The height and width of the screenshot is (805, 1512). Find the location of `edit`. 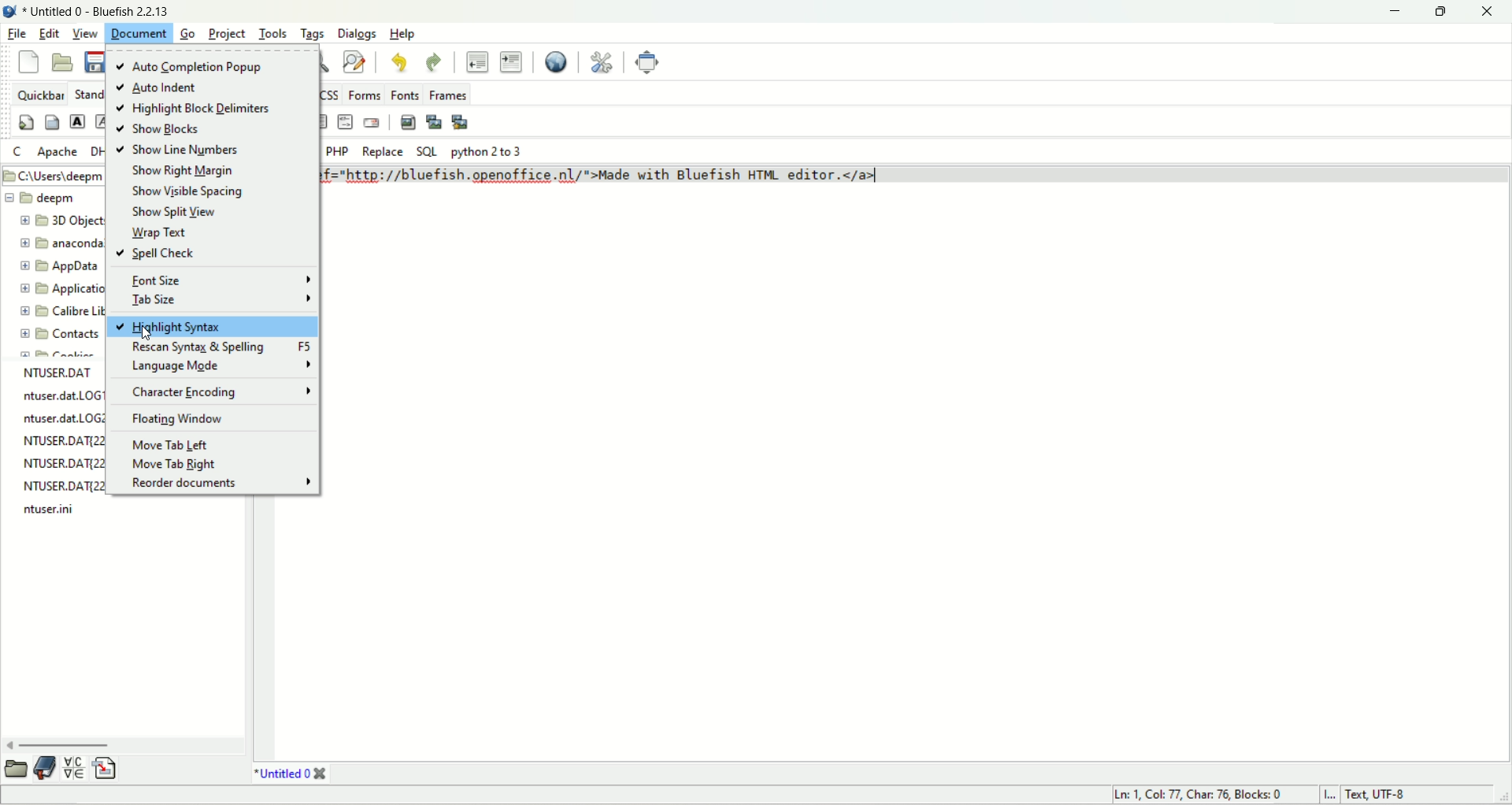

edit is located at coordinates (51, 33).